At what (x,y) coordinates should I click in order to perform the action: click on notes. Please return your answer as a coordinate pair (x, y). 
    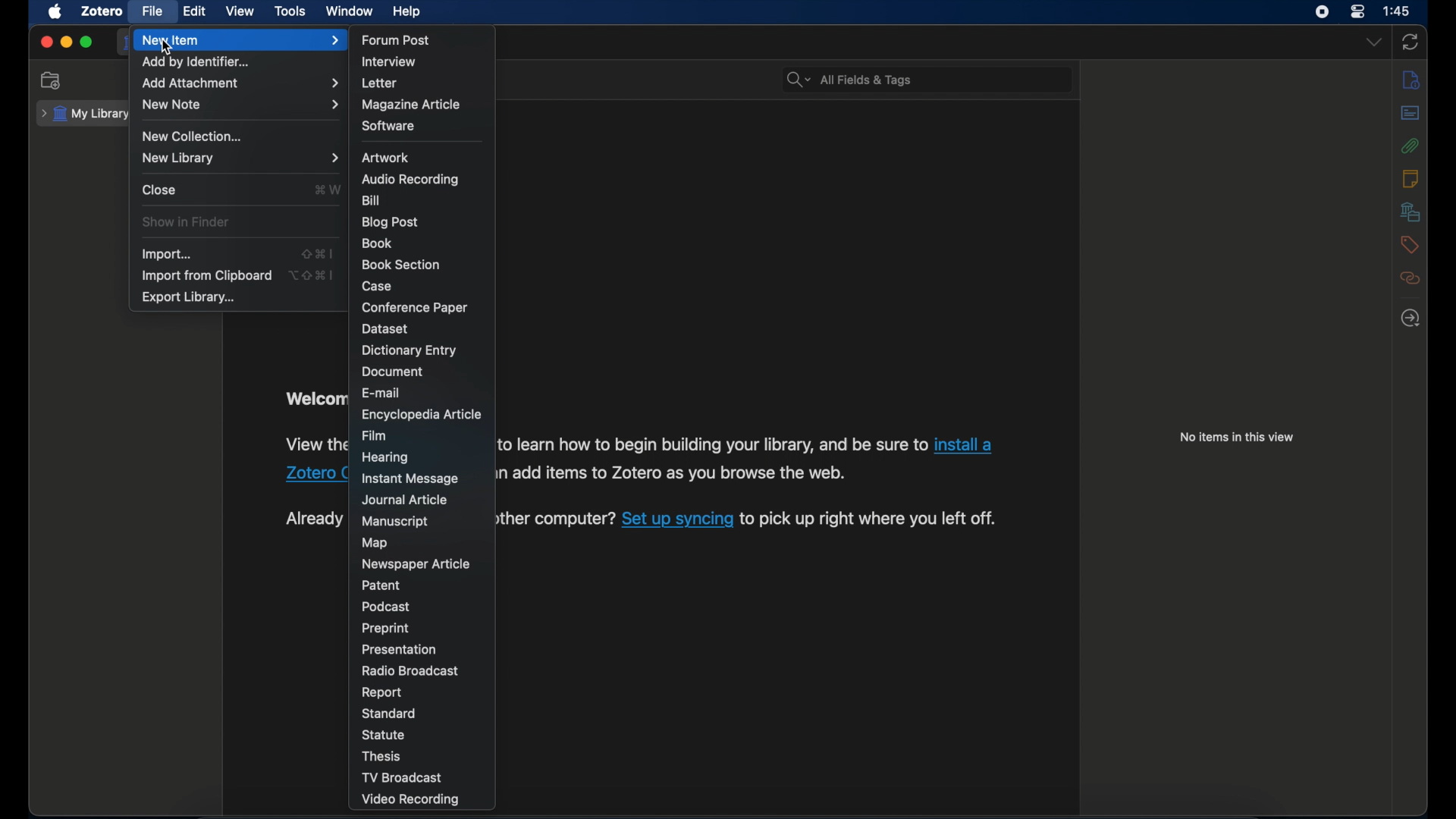
    Looking at the image, I should click on (1411, 179).